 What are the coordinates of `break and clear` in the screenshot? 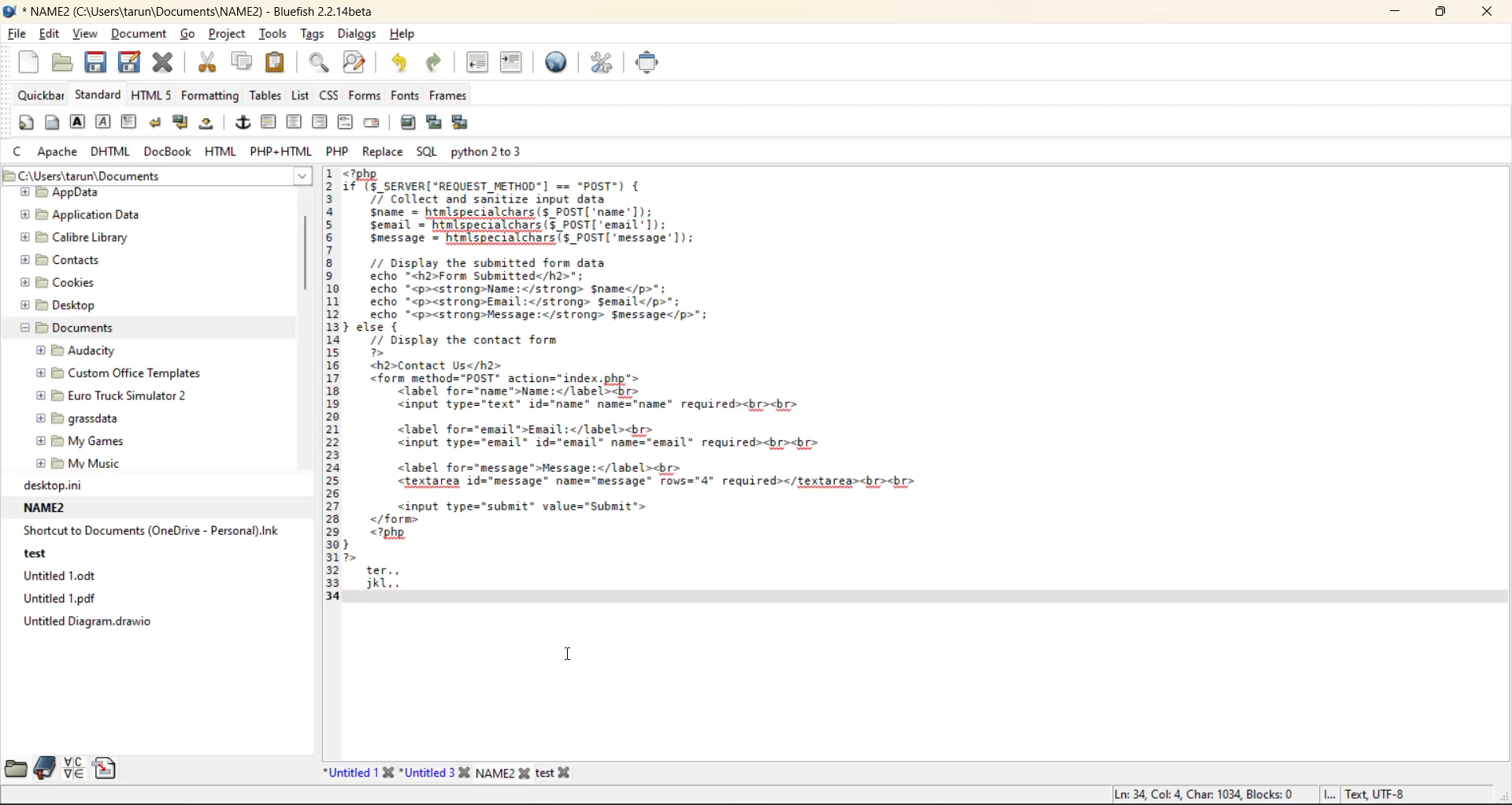 It's located at (183, 123).